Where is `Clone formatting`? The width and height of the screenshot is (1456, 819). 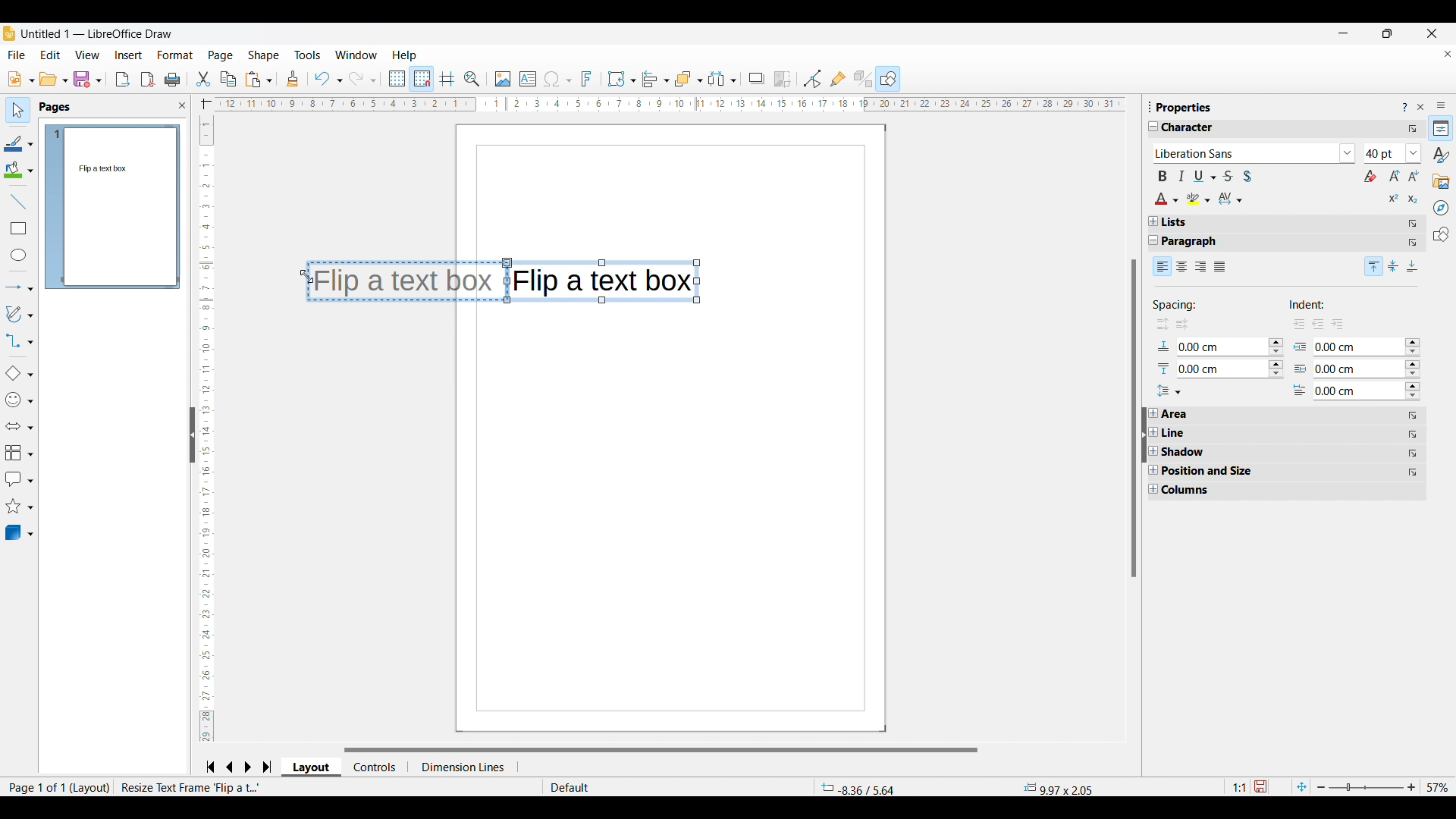 Clone formatting is located at coordinates (292, 78).